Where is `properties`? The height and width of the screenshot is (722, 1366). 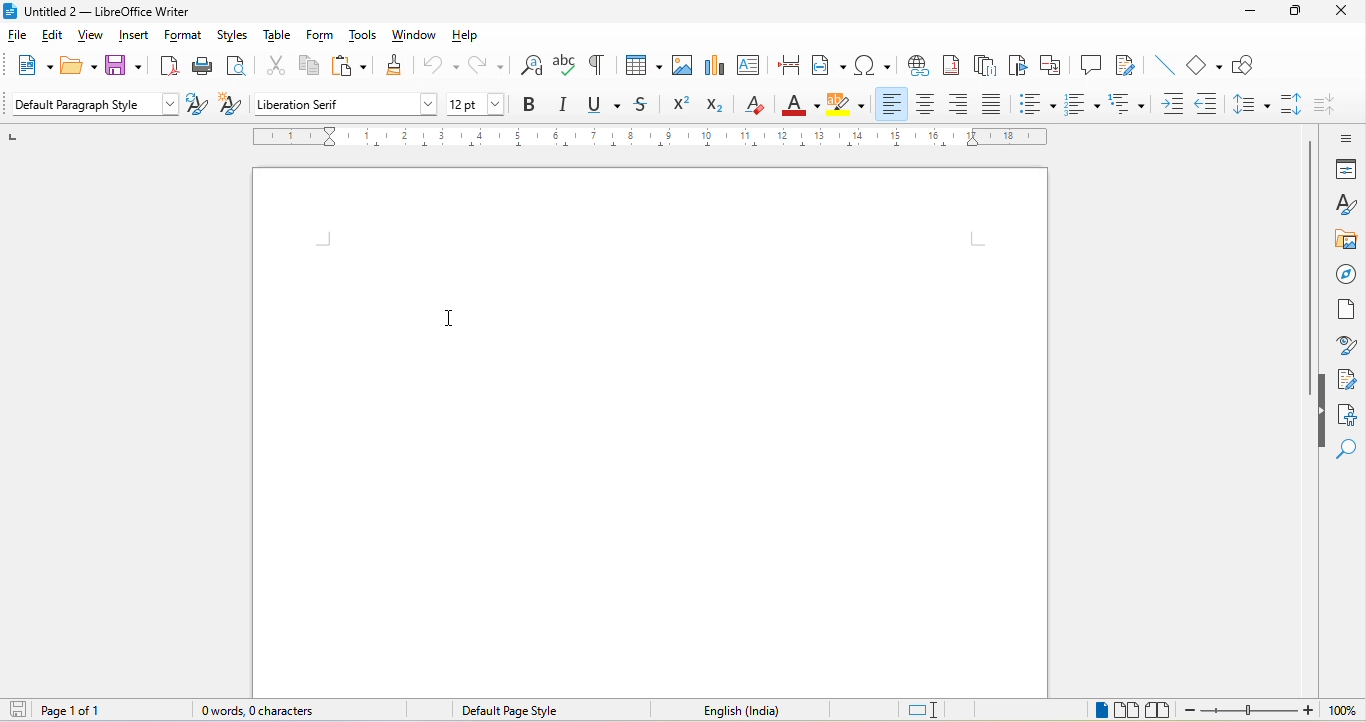 properties is located at coordinates (1343, 169).